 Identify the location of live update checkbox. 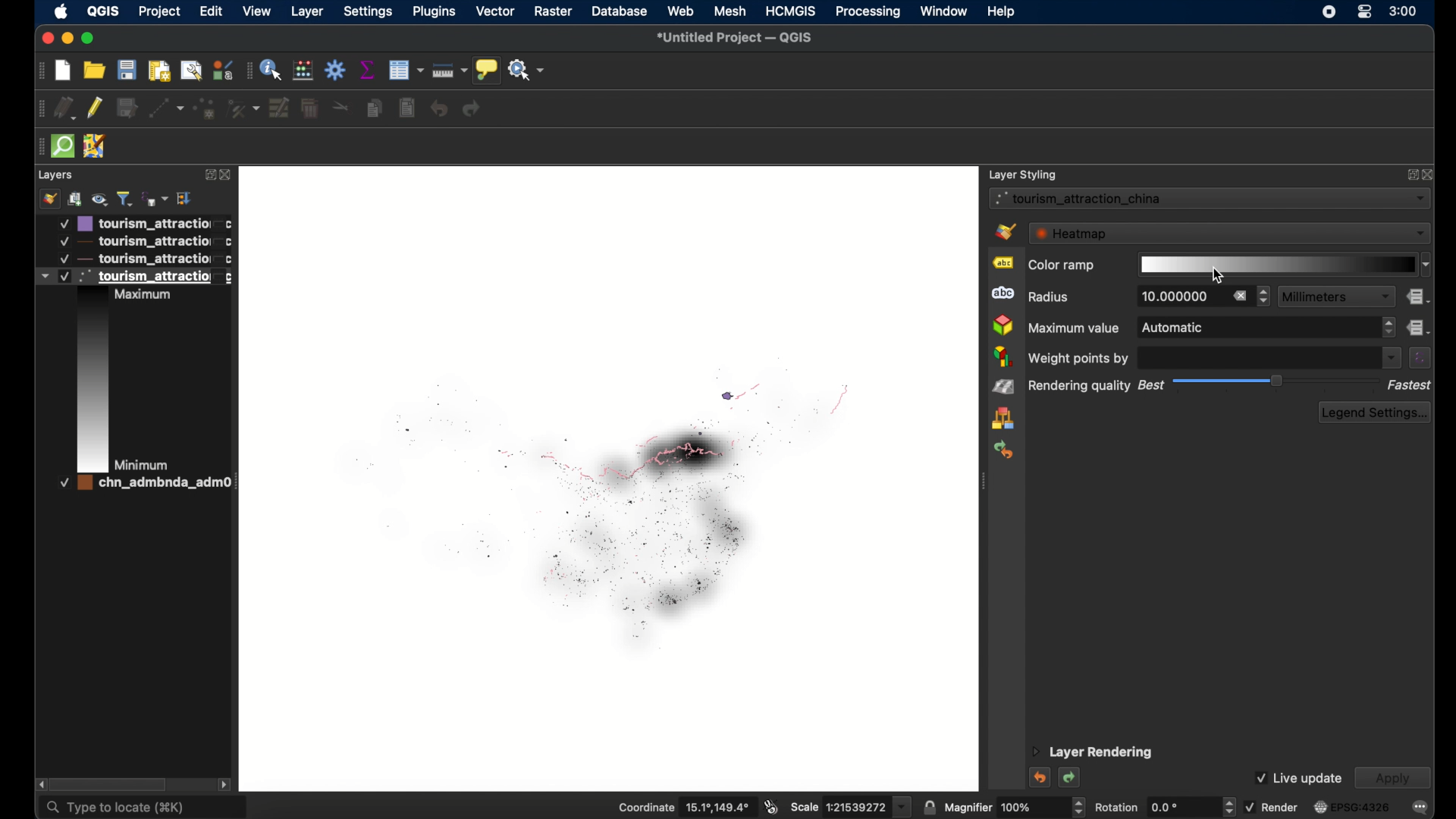
(1298, 777).